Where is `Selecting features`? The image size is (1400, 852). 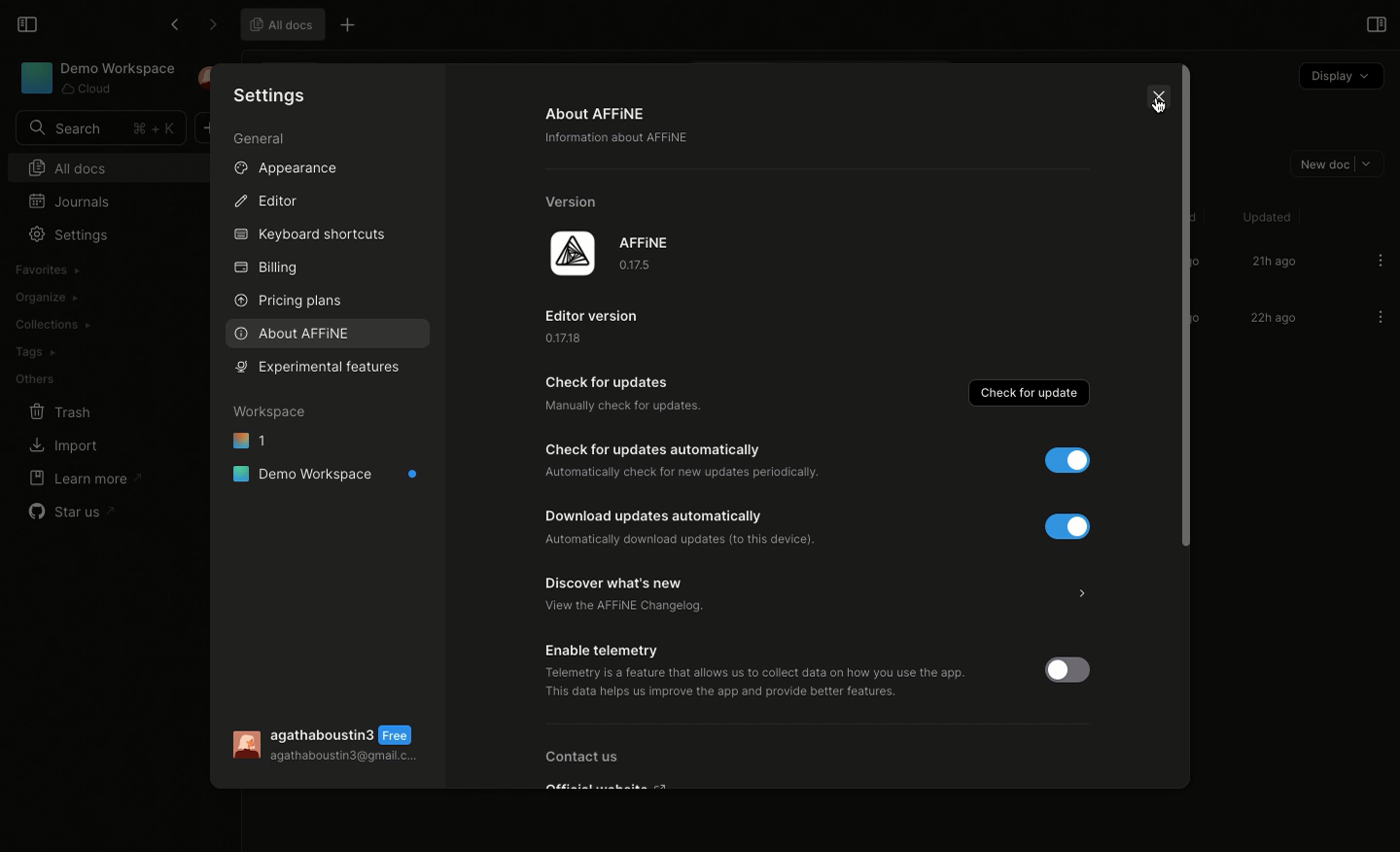 Selecting features is located at coordinates (327, 367).